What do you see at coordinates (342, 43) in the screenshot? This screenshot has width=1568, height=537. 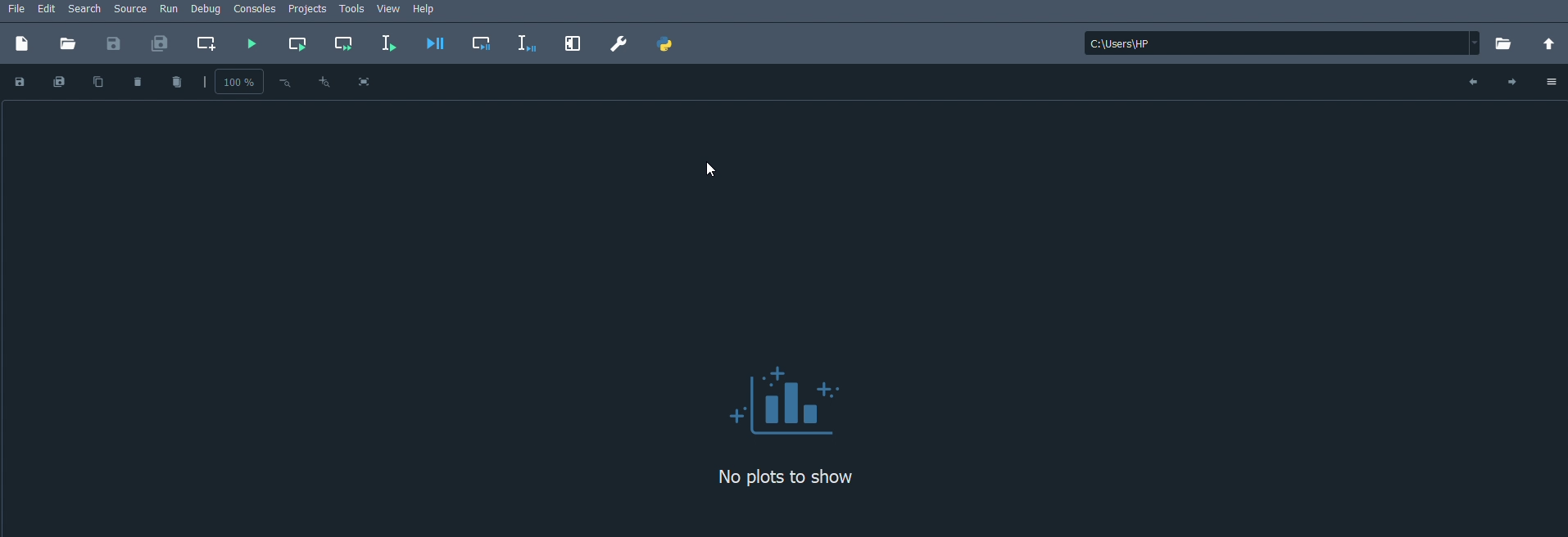 I see `Run current cell and go to the next one` at bounding box center [342, 43].